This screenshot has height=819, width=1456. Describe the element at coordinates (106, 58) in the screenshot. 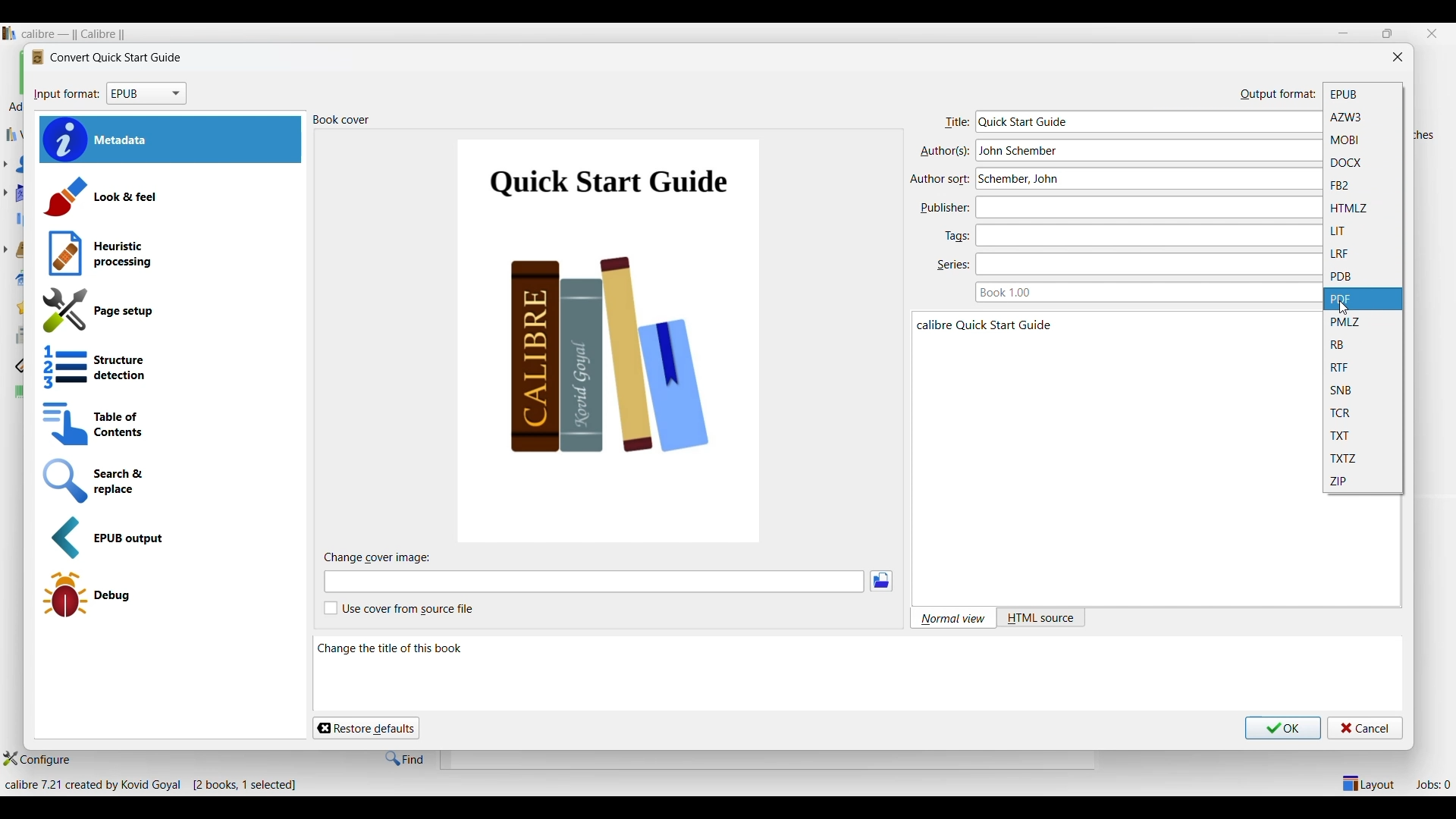

I see `Logo and title of window` at that location.